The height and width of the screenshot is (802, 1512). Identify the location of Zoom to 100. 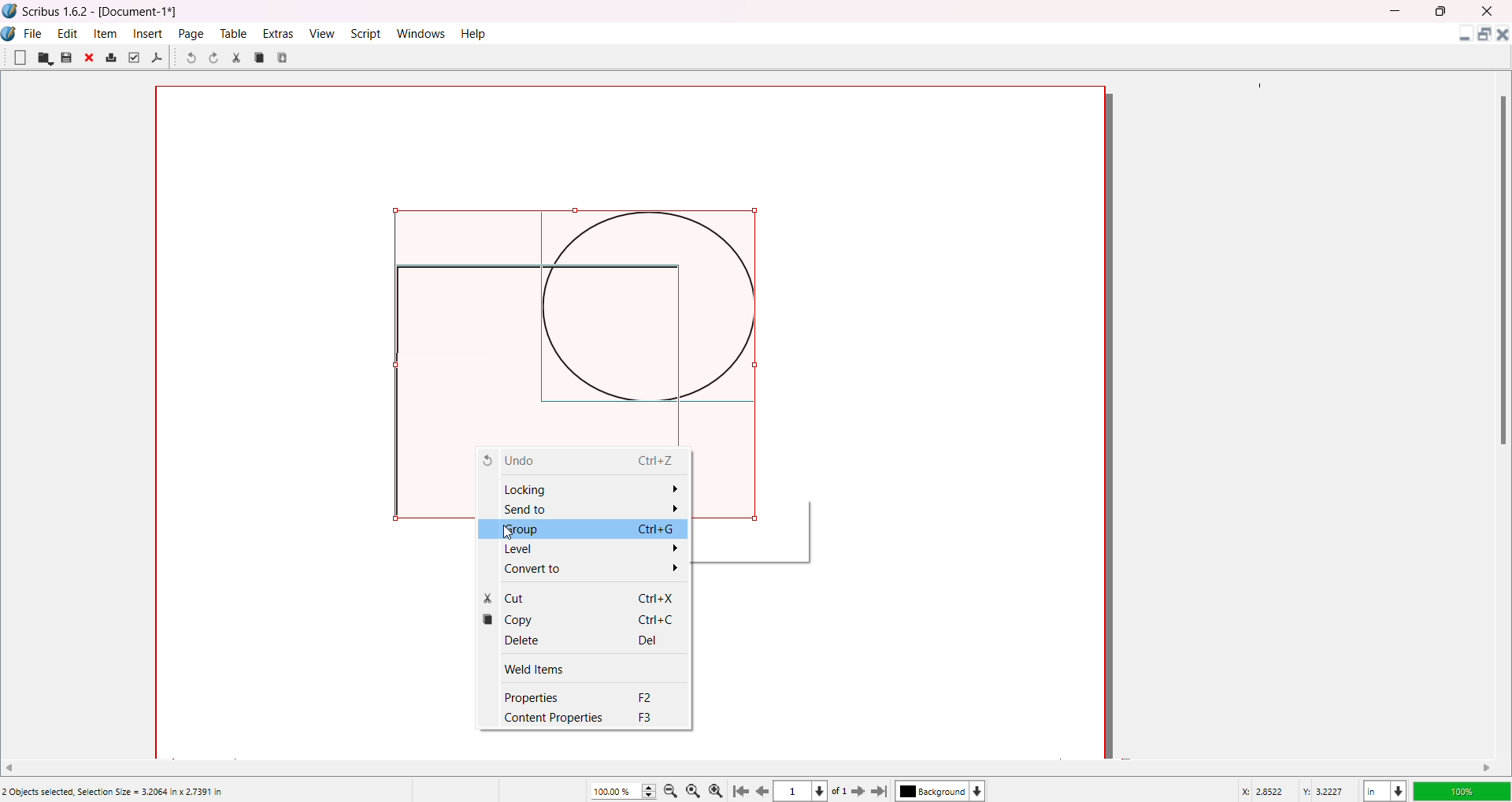
(696, 789).